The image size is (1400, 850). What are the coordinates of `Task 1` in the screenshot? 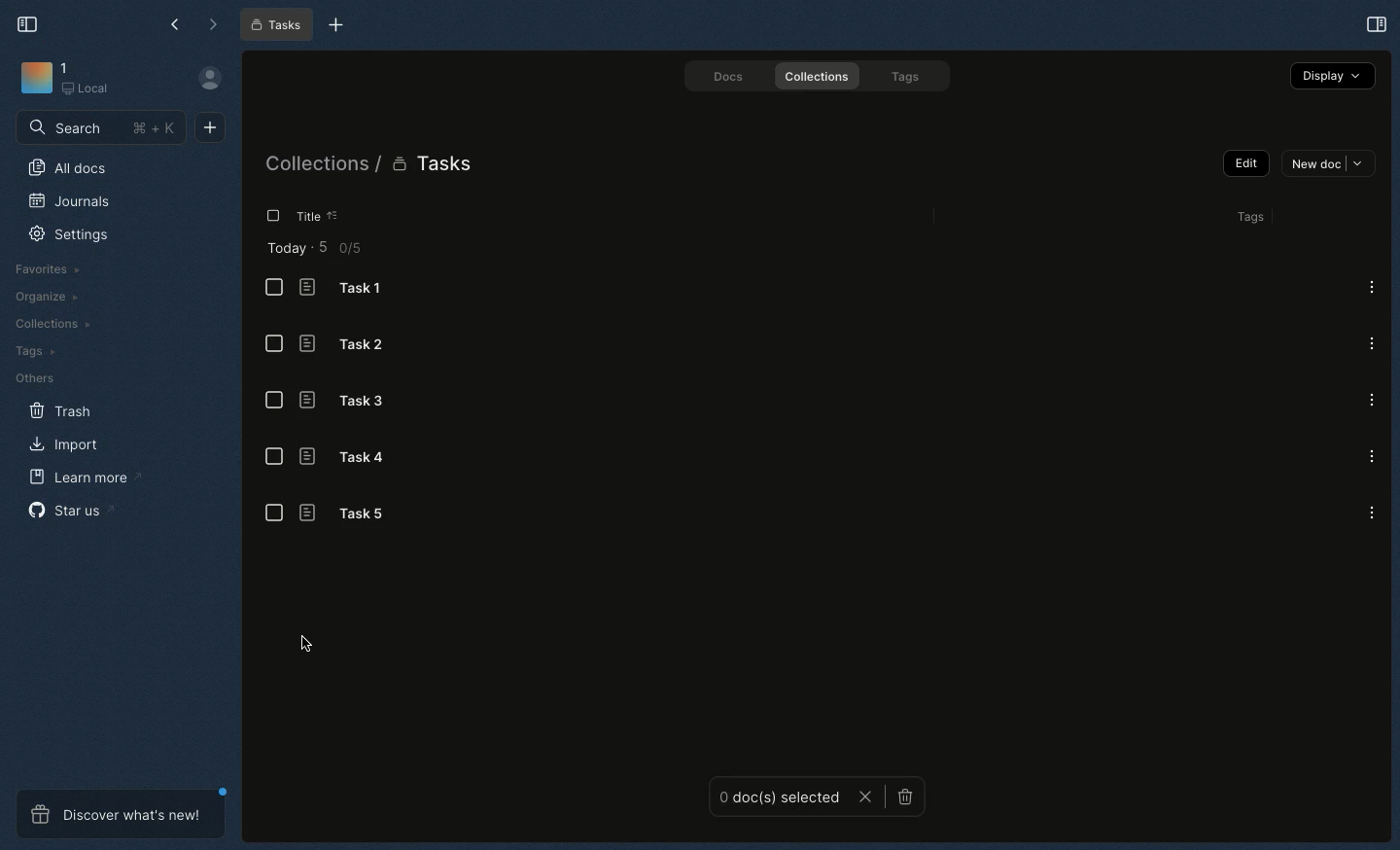 It's located at (355, 290).